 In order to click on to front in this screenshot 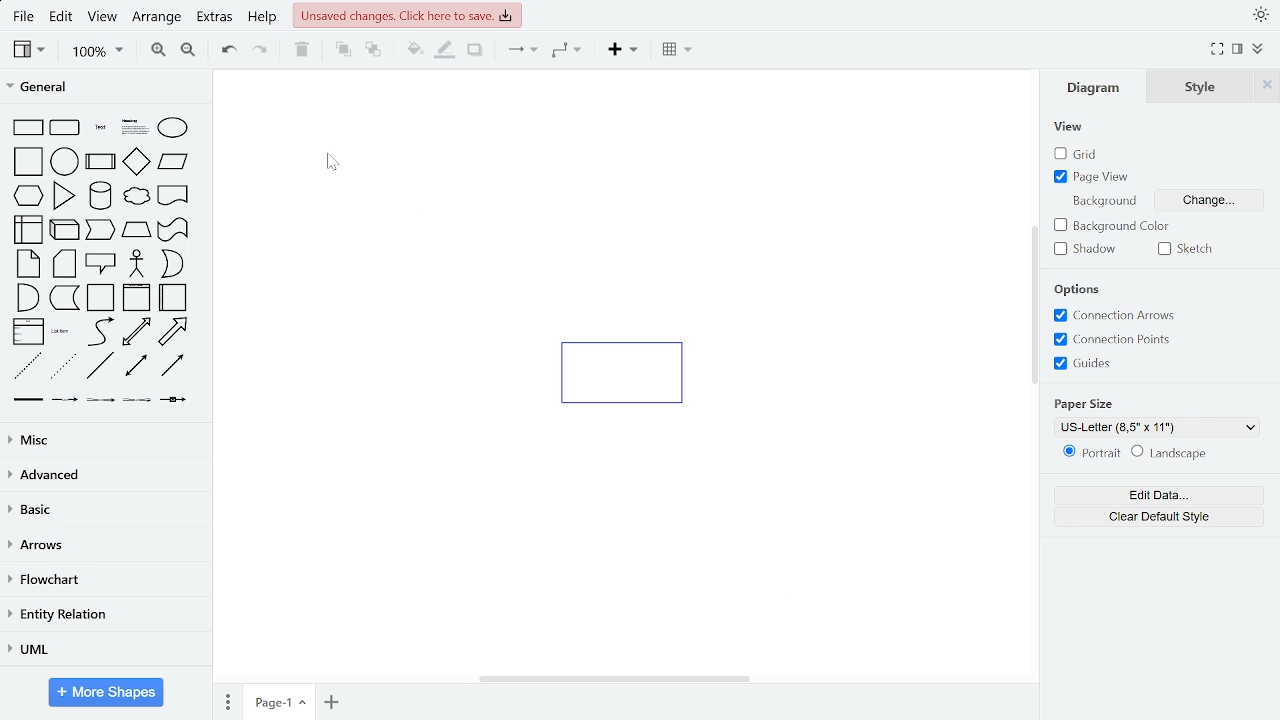, I will do `click(342, 51)`.